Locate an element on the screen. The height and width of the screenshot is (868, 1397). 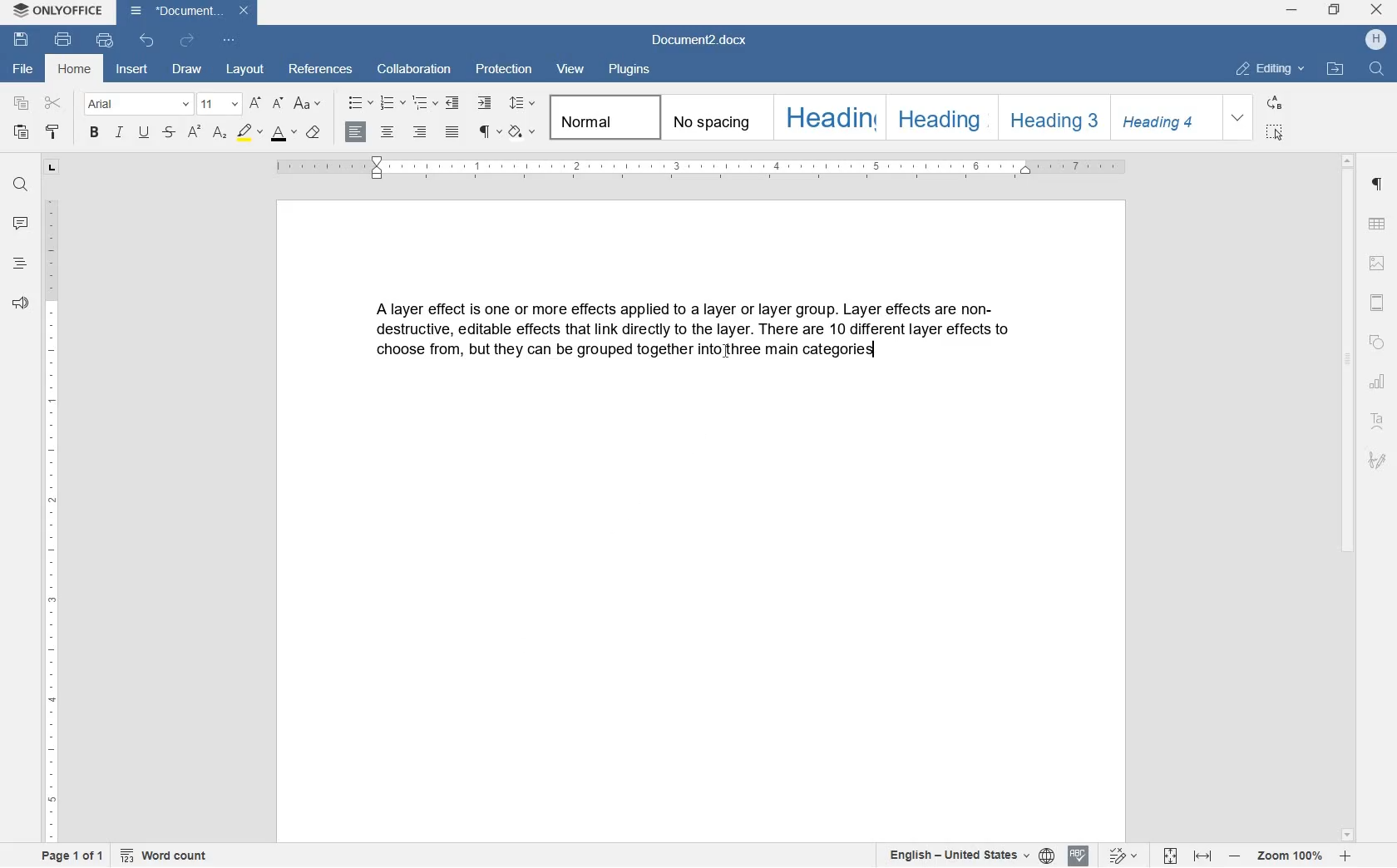
save is located at coordinates (20, 39).